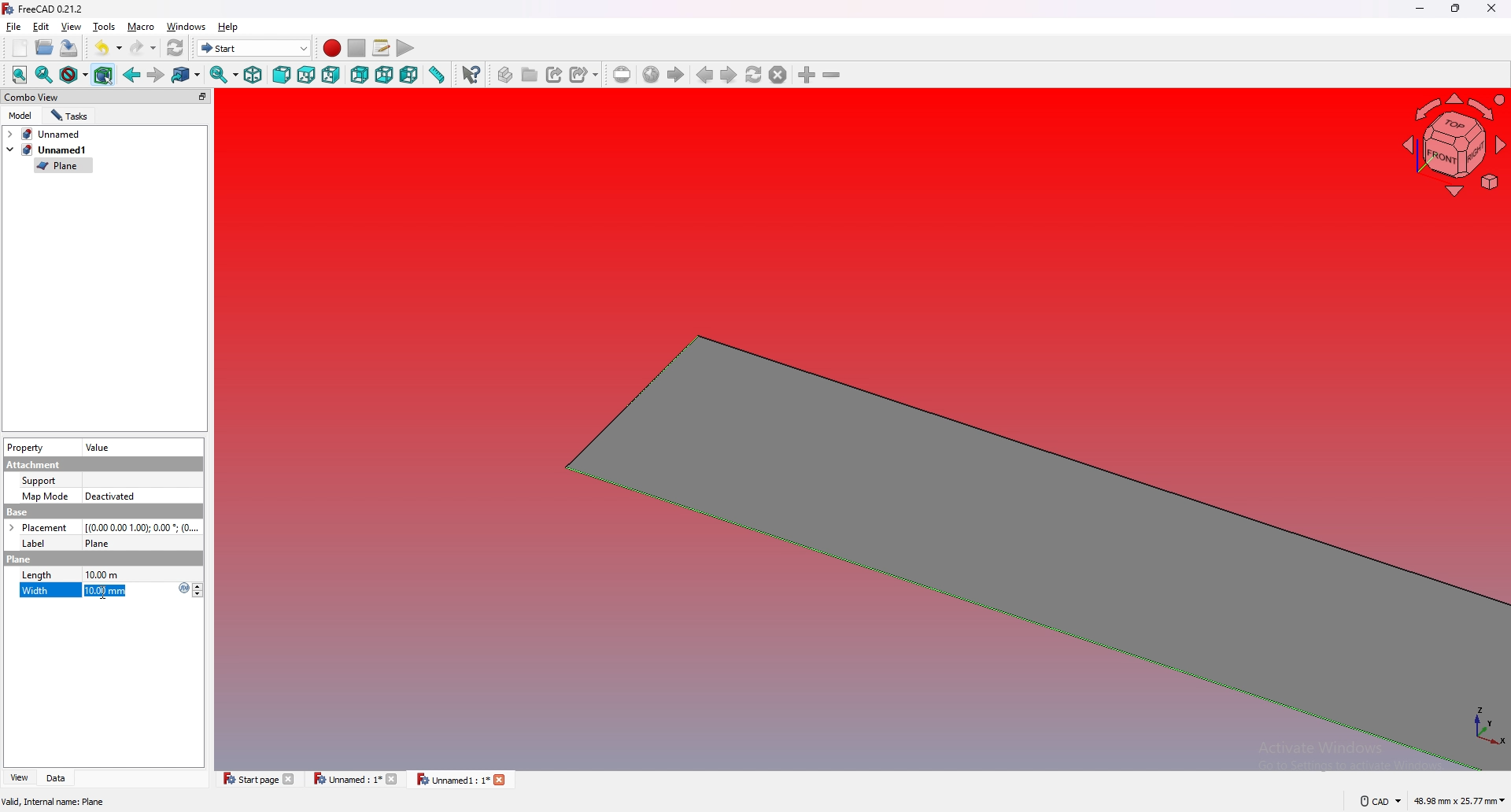 Image resolution: width=1511 pixels, height=812 pixels. What do you see at coordinates (1461, 802) in the screenshot?
I see `48.98 mm x 25.77 mm` at bounding box center [1461, 802].